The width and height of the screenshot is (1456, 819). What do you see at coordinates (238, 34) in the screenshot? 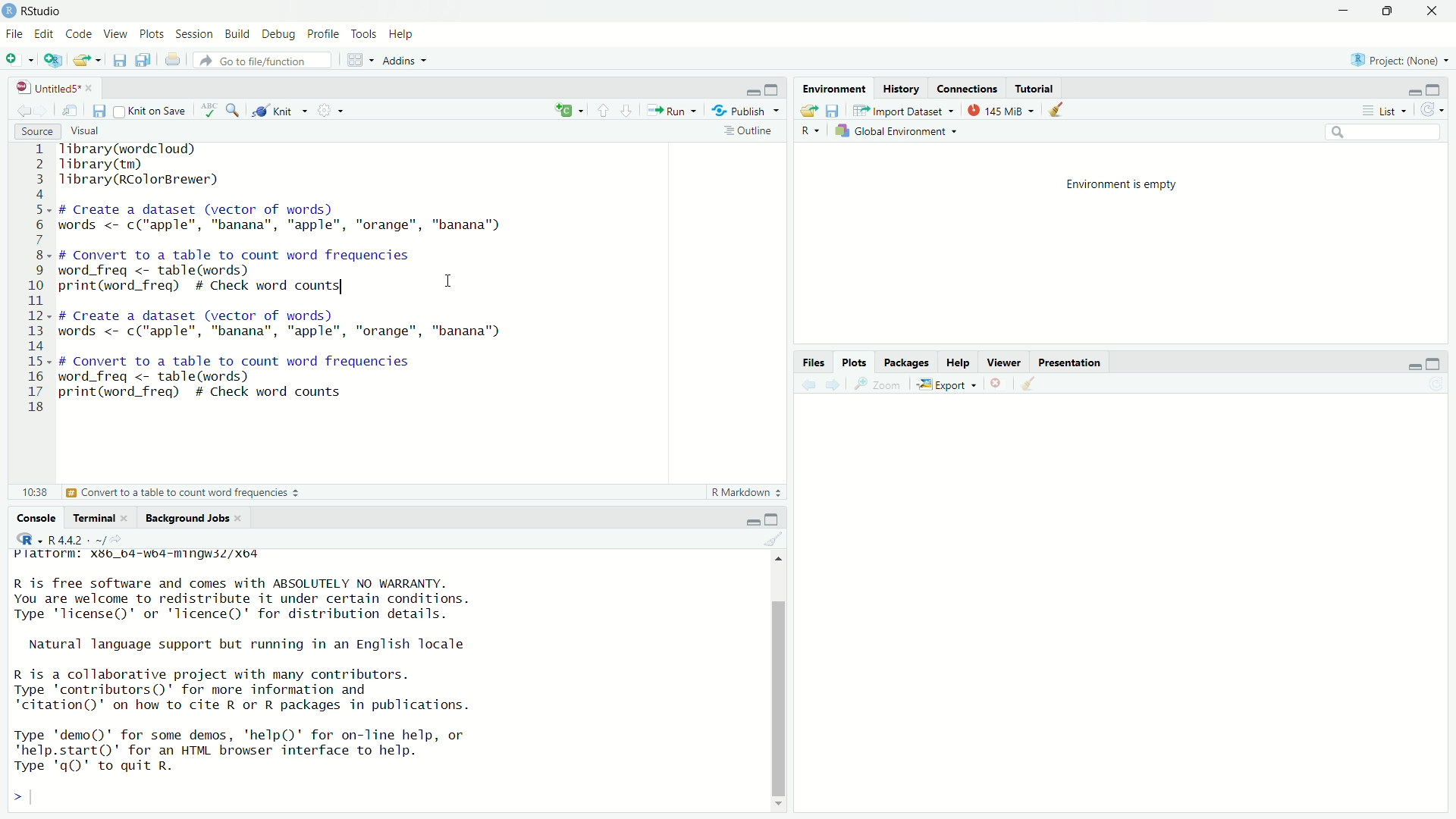
I see `Build` at bounding box center [238, 34].